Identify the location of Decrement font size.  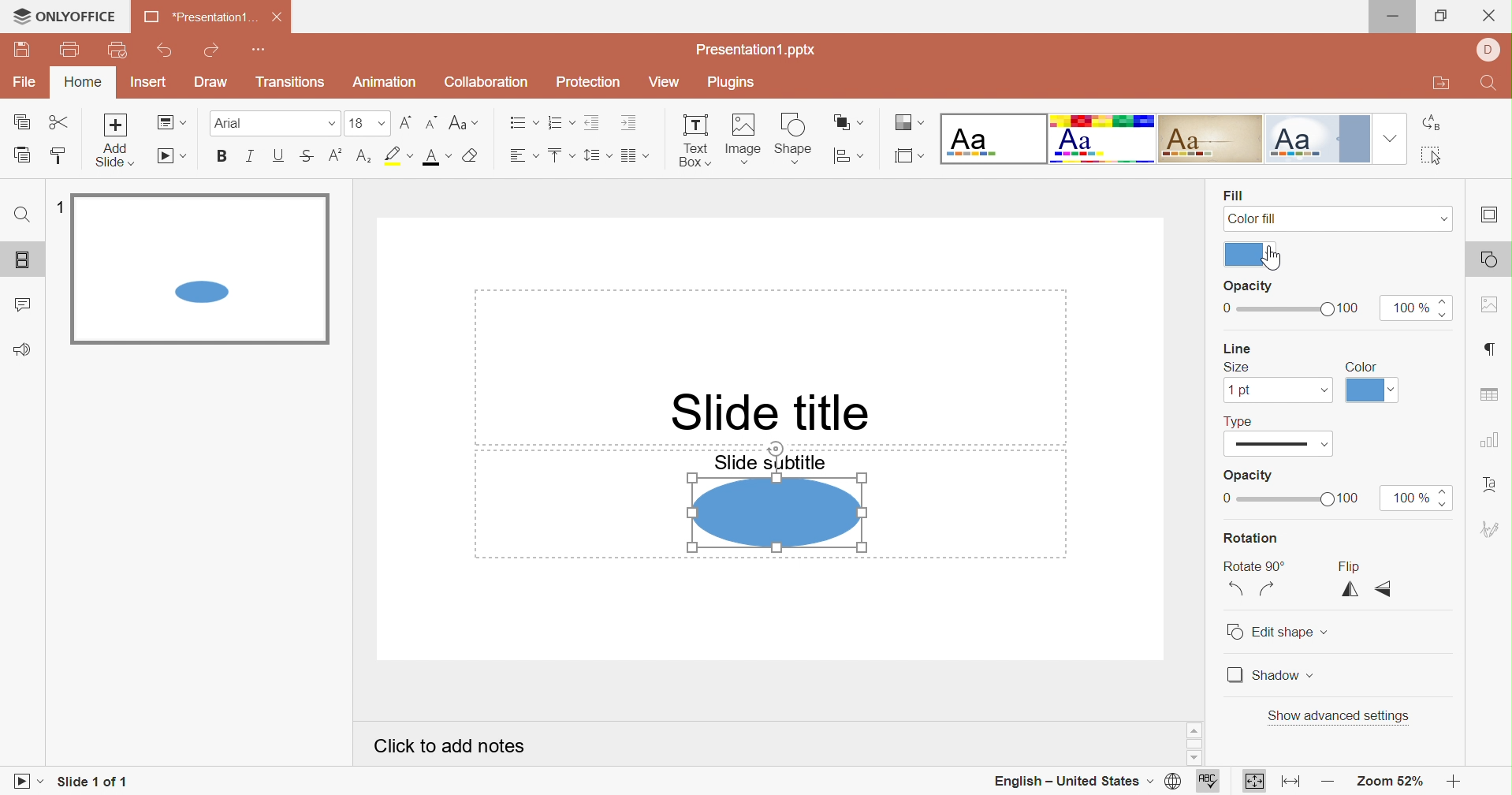
(429, 123).